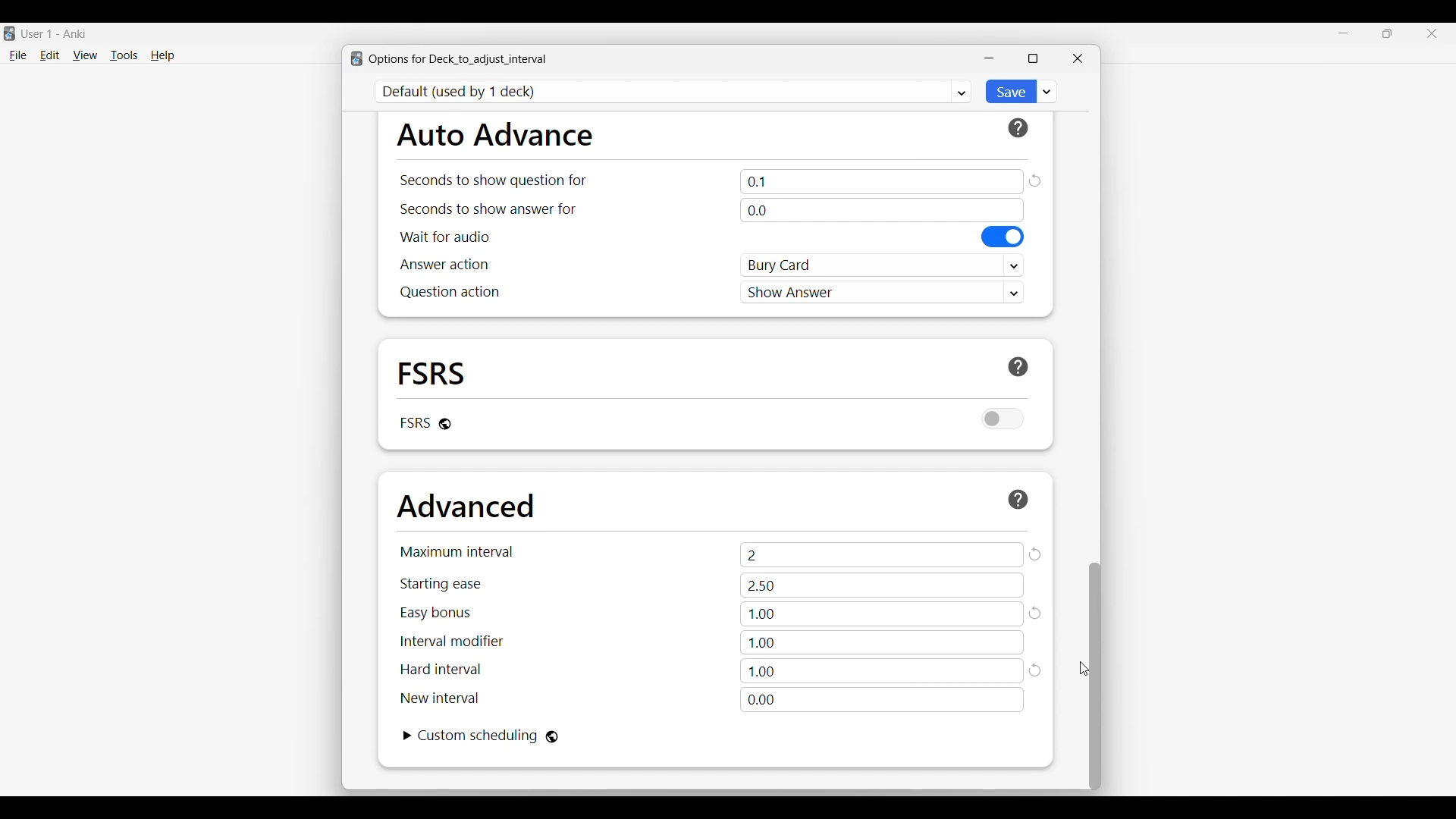 This screenshot has width=1456, height=819. What do you see at coordinates (457, 551) in the screenshot?
I see `Indicates max. interval` at bounding box center [457, 551].